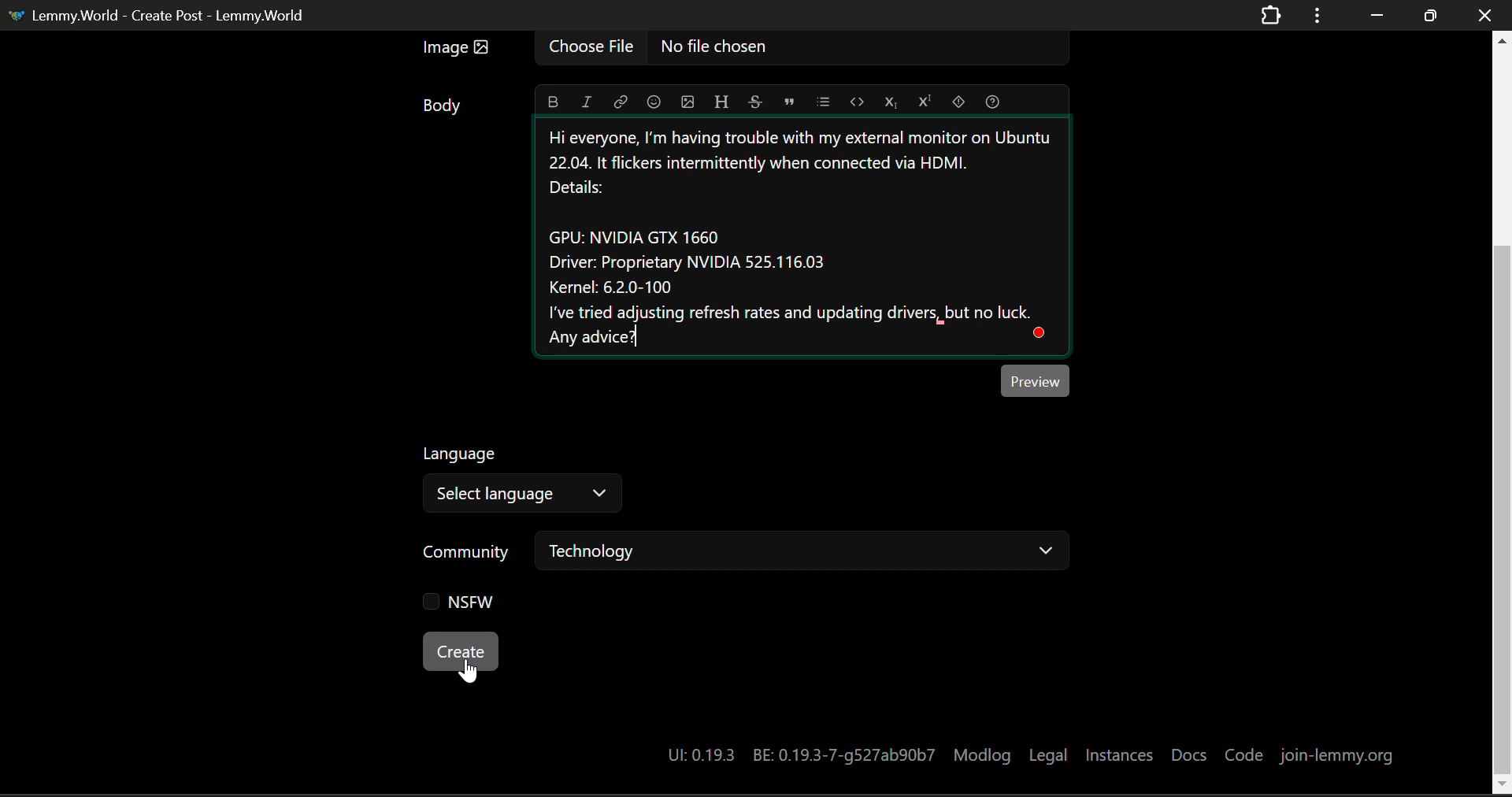  Describe the element at coordinates (1373, 13) in the screenshot. I see `Restore Down` at that location.